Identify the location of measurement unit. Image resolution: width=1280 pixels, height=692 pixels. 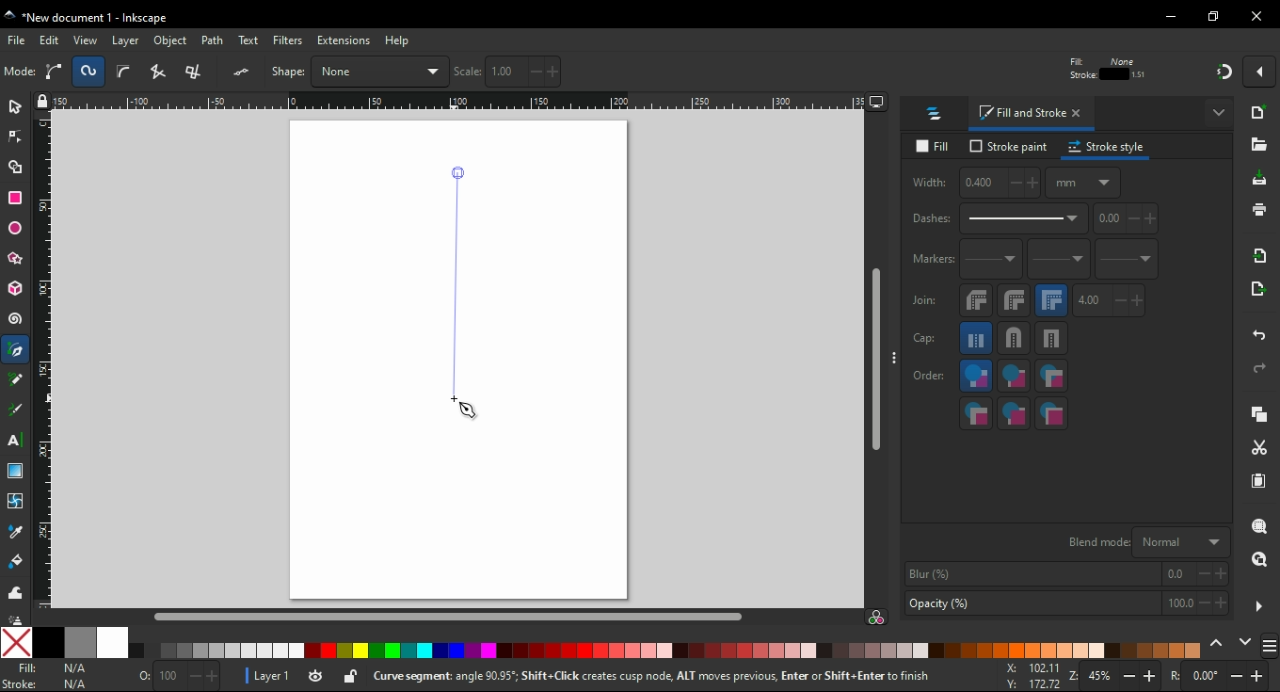
(1012, 71).